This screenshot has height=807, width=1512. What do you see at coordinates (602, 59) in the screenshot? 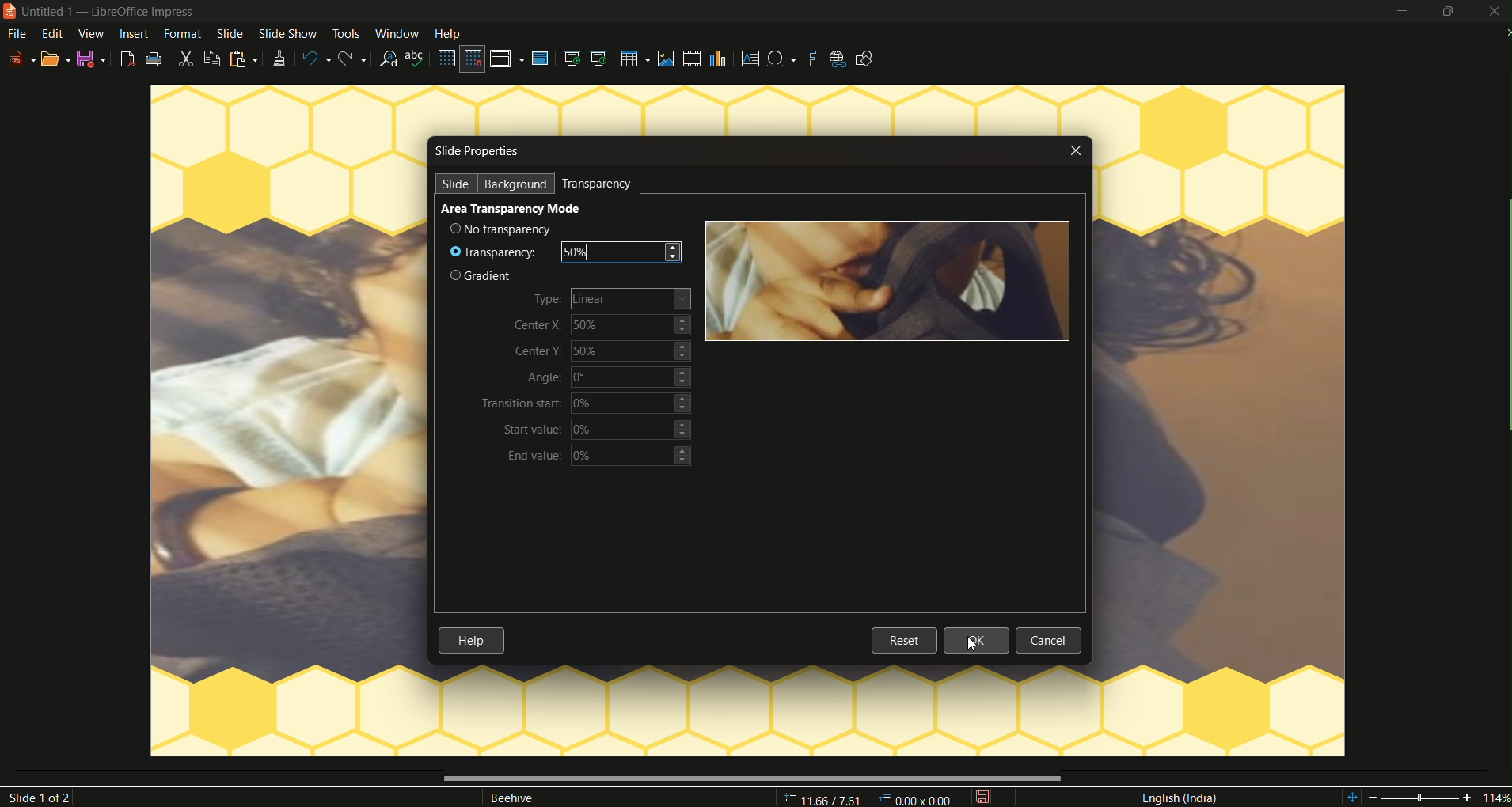
I see `start from the current slide` at bounding box center [602, 59].